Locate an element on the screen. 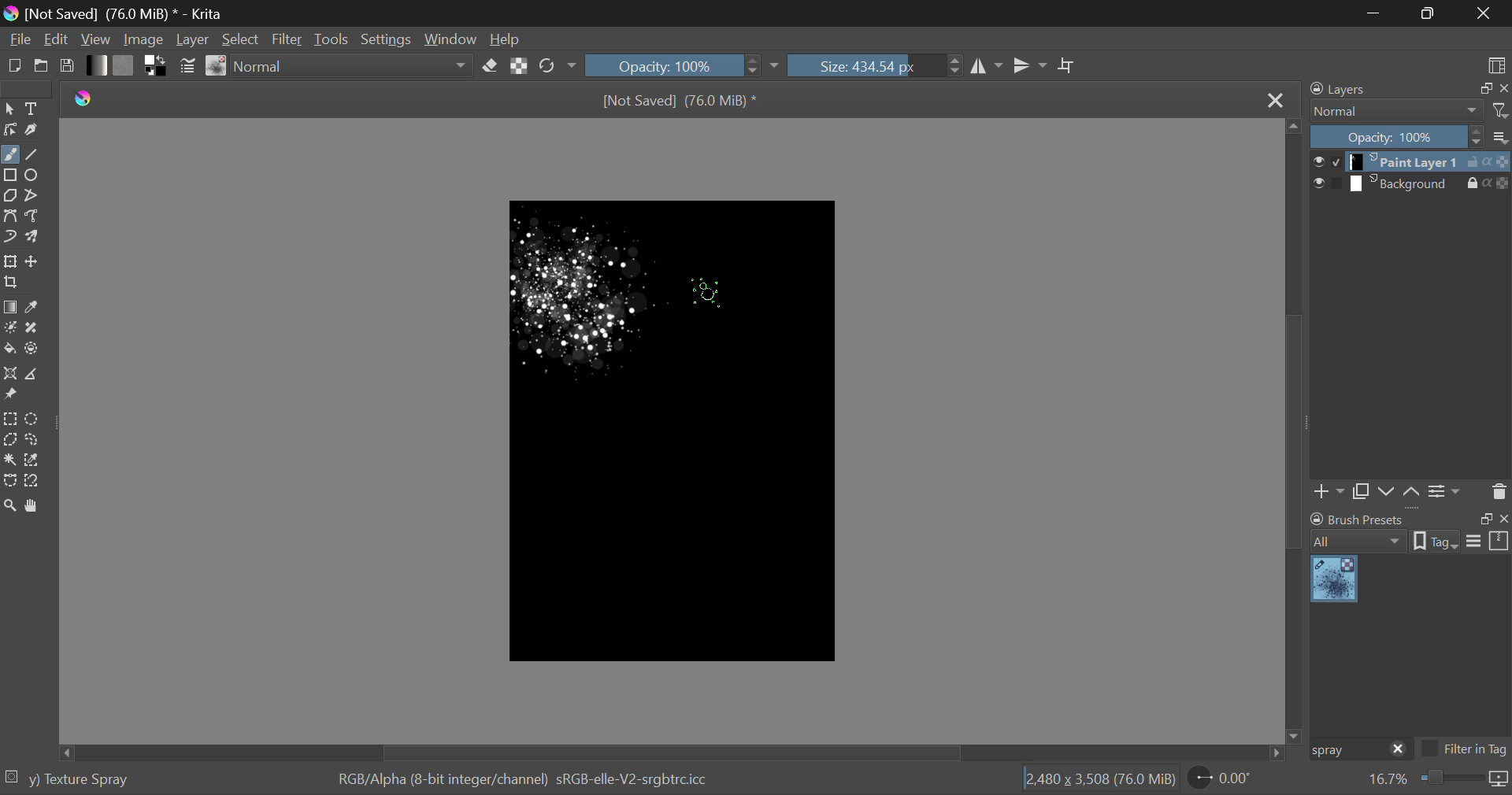  Rotate is located at coordinates (559, 66).